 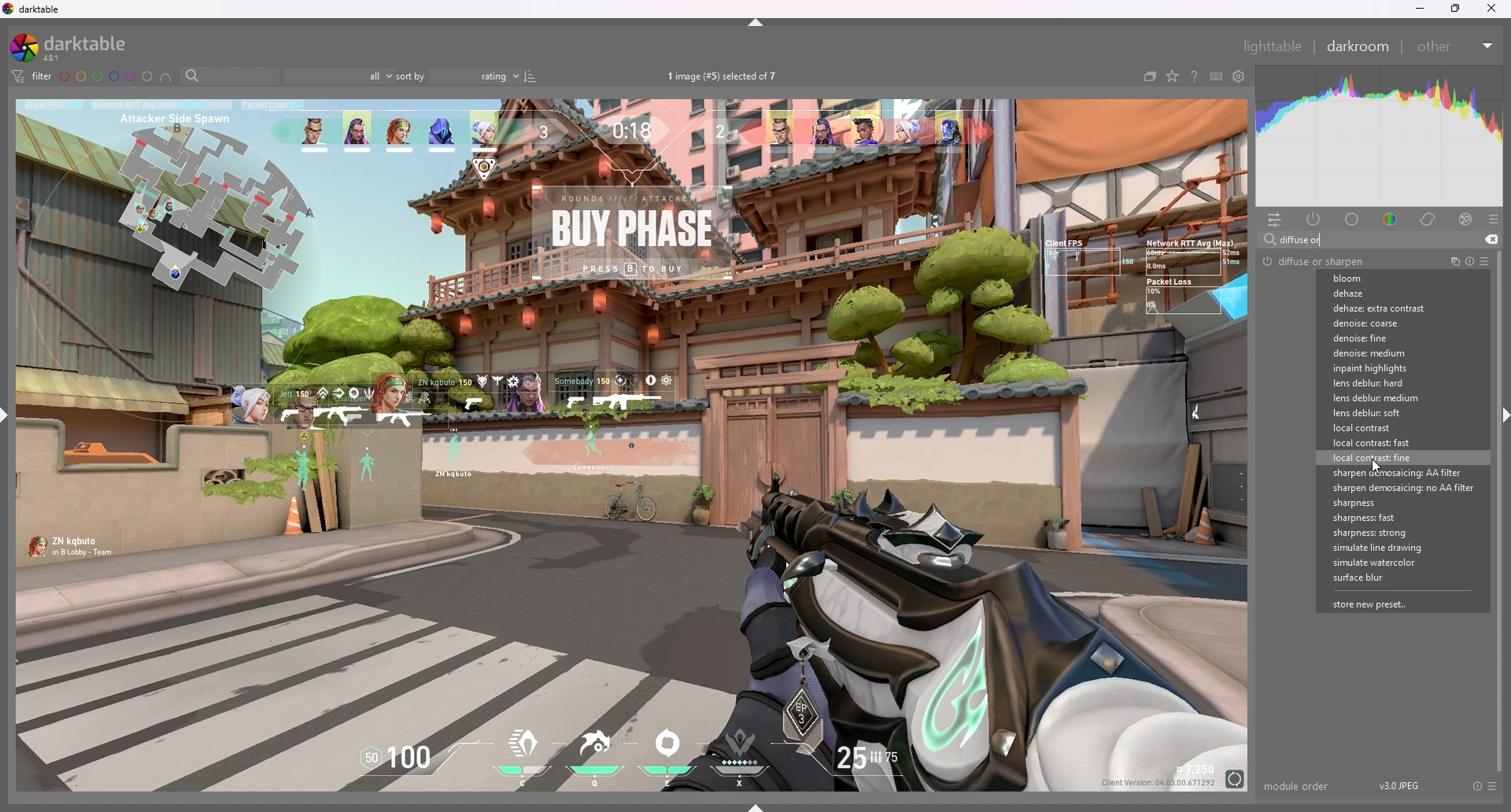 What do you see at coordinates (339, 76) in the screenshot?
I see `filter by images rating` at bounding box center [339, 76].